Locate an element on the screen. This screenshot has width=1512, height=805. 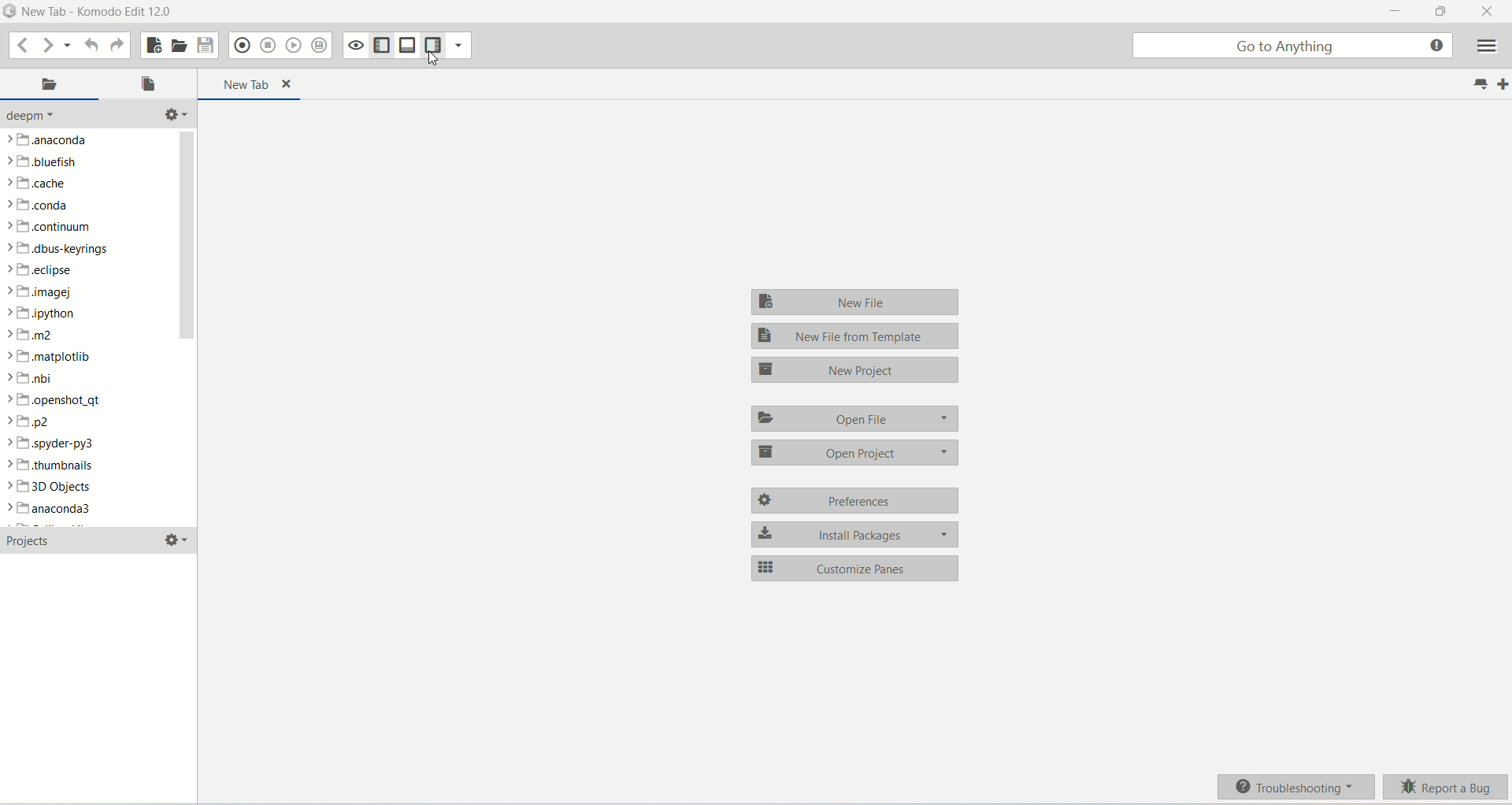
redo is located at coordinates (117, 45).